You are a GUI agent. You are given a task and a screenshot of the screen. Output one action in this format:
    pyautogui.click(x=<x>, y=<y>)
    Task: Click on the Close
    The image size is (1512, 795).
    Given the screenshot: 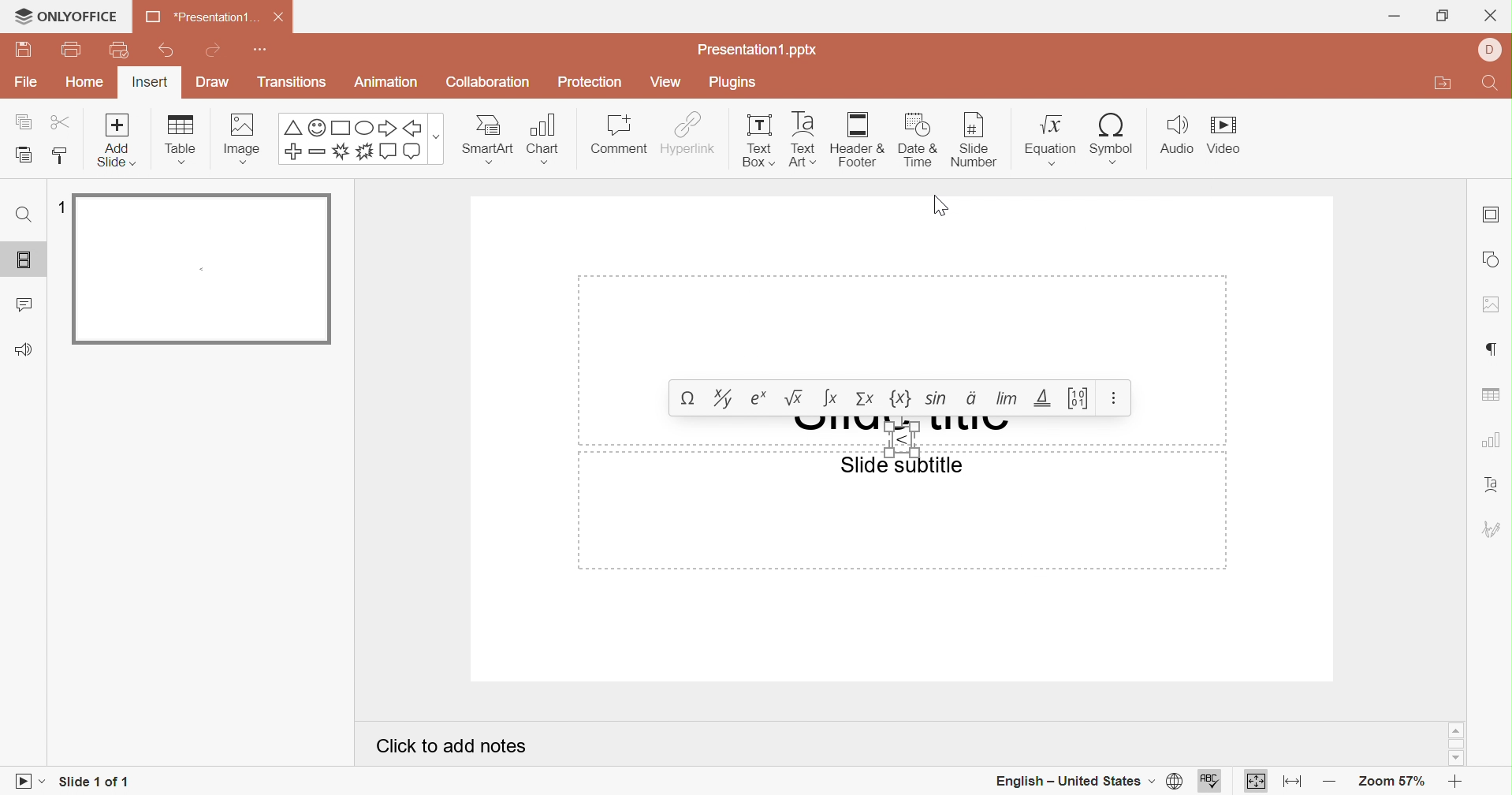 What is the action you would take?
    pyautogui.click(x=1490, y=15)
    